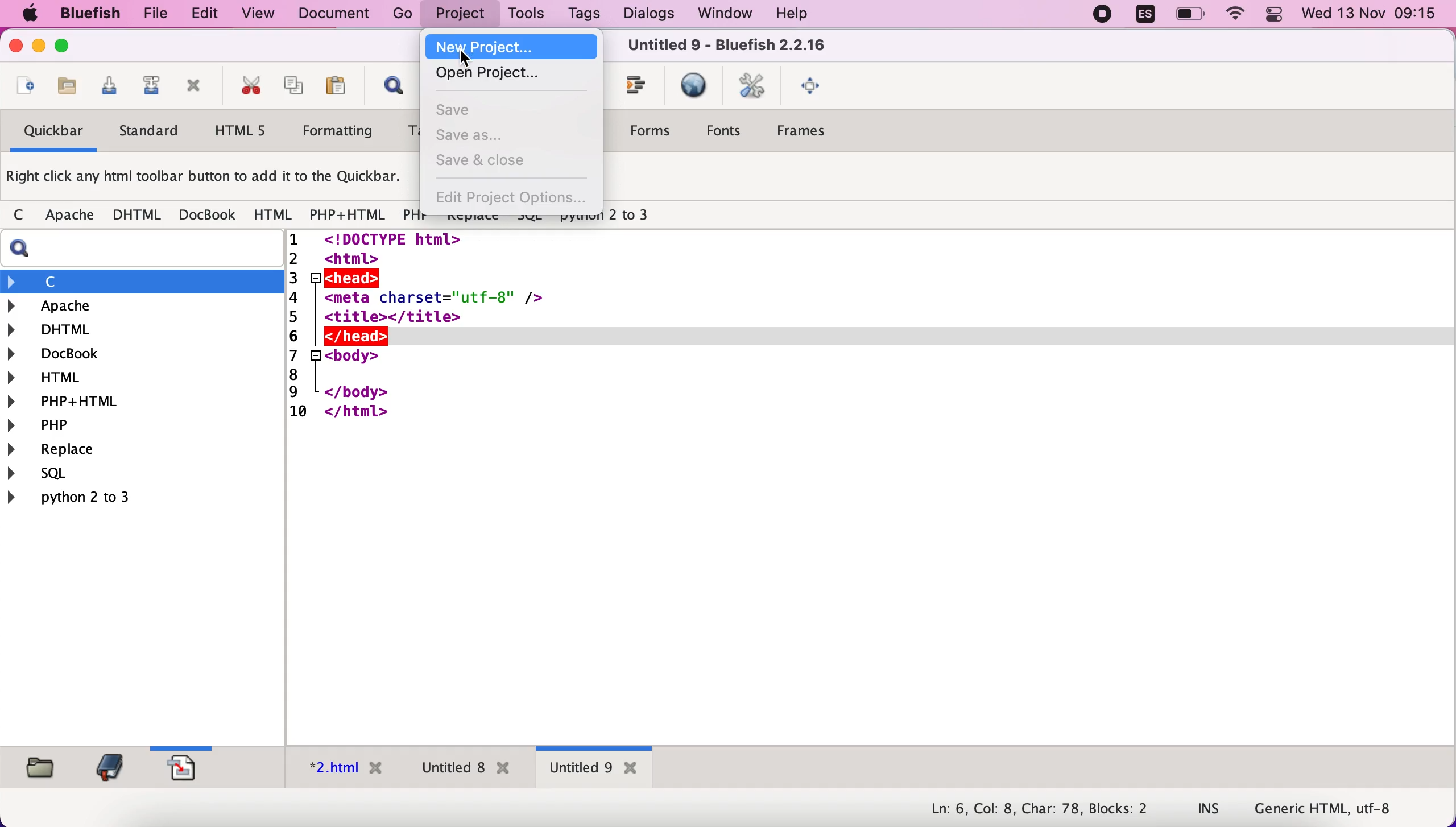 The image size is (1456, 827). What do you see at coordinates (147, 249) in the screenshot?
I see `search` at bounding box center [147, 249].